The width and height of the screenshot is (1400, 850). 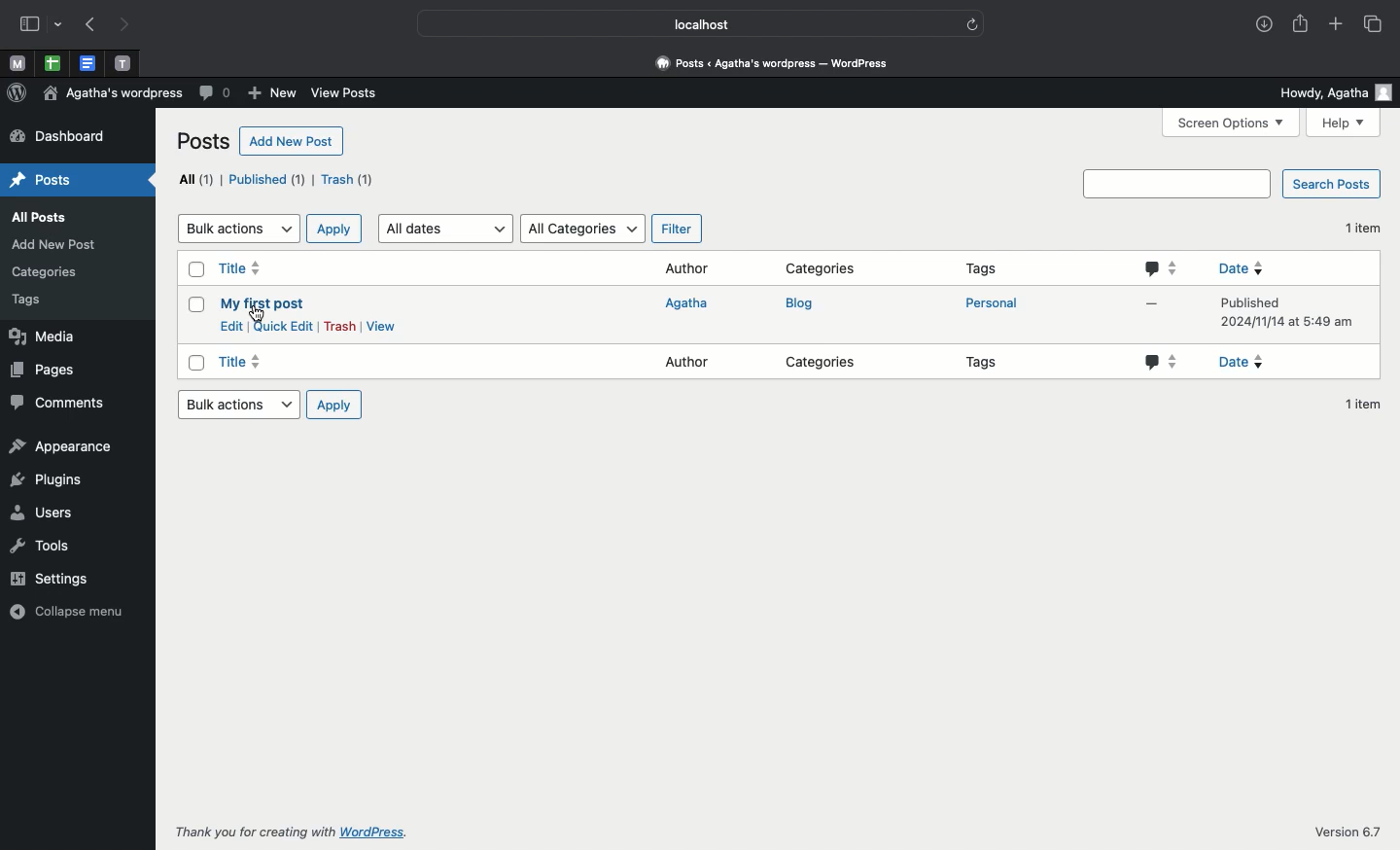 I want to click on Comments, so click(x=1163, y=267).